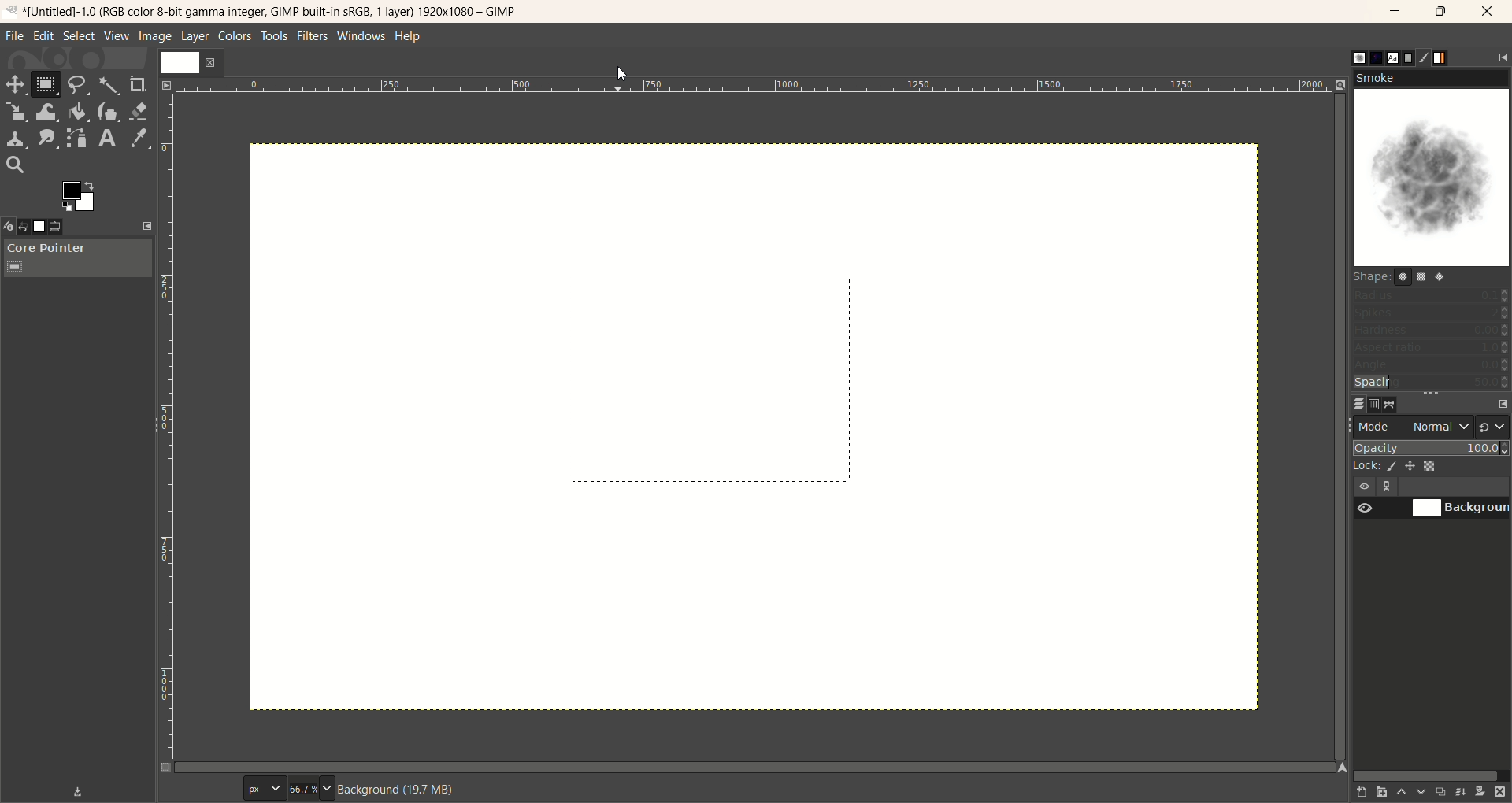 This screenshot has height=803, width=1512. I want to click on pixel, so click(262, 790).